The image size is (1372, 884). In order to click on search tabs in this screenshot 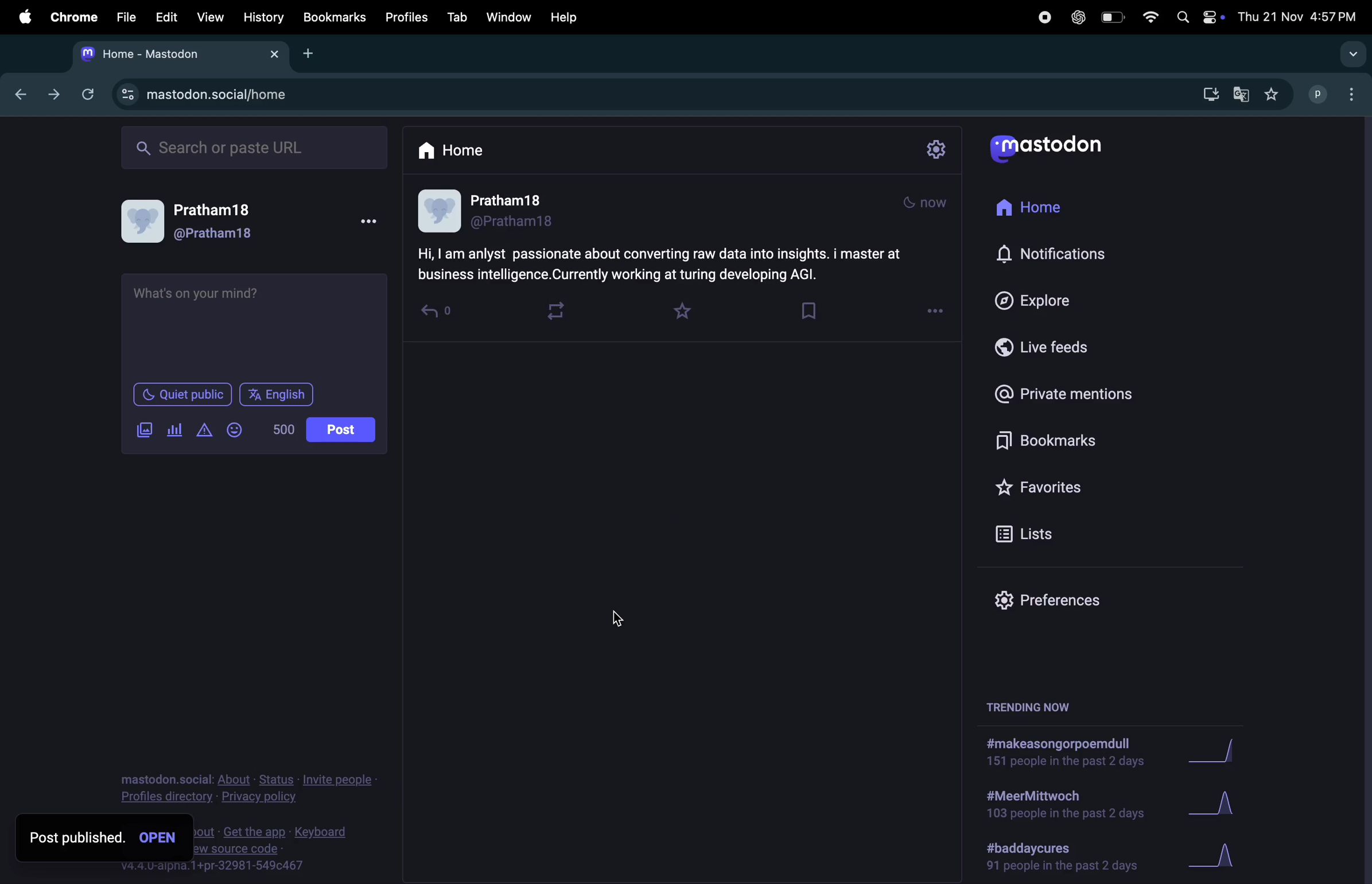, I will do `click(1351, 54)`.